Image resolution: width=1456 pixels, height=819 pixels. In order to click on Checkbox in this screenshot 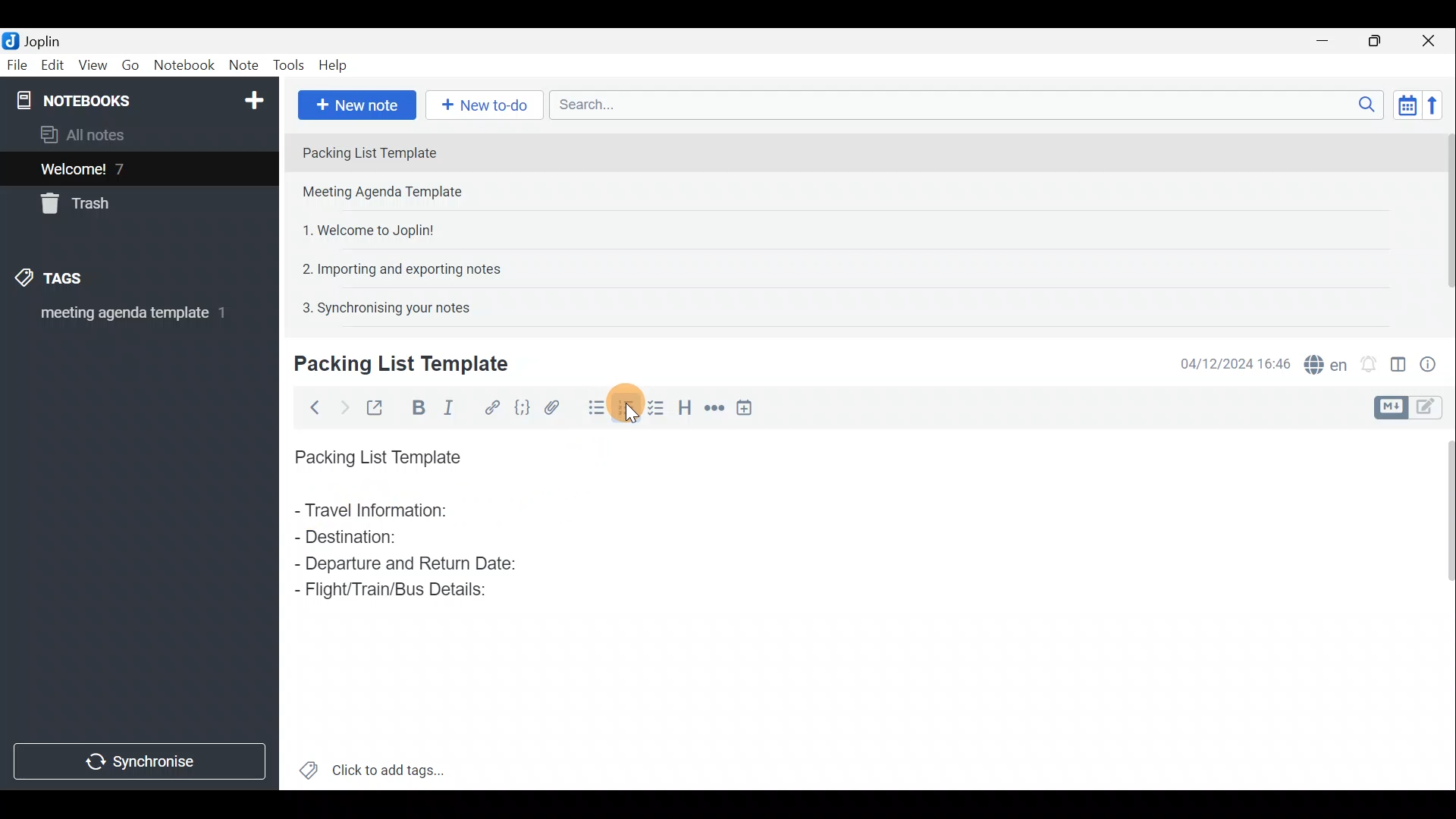, I will do `click(631, 413)`.